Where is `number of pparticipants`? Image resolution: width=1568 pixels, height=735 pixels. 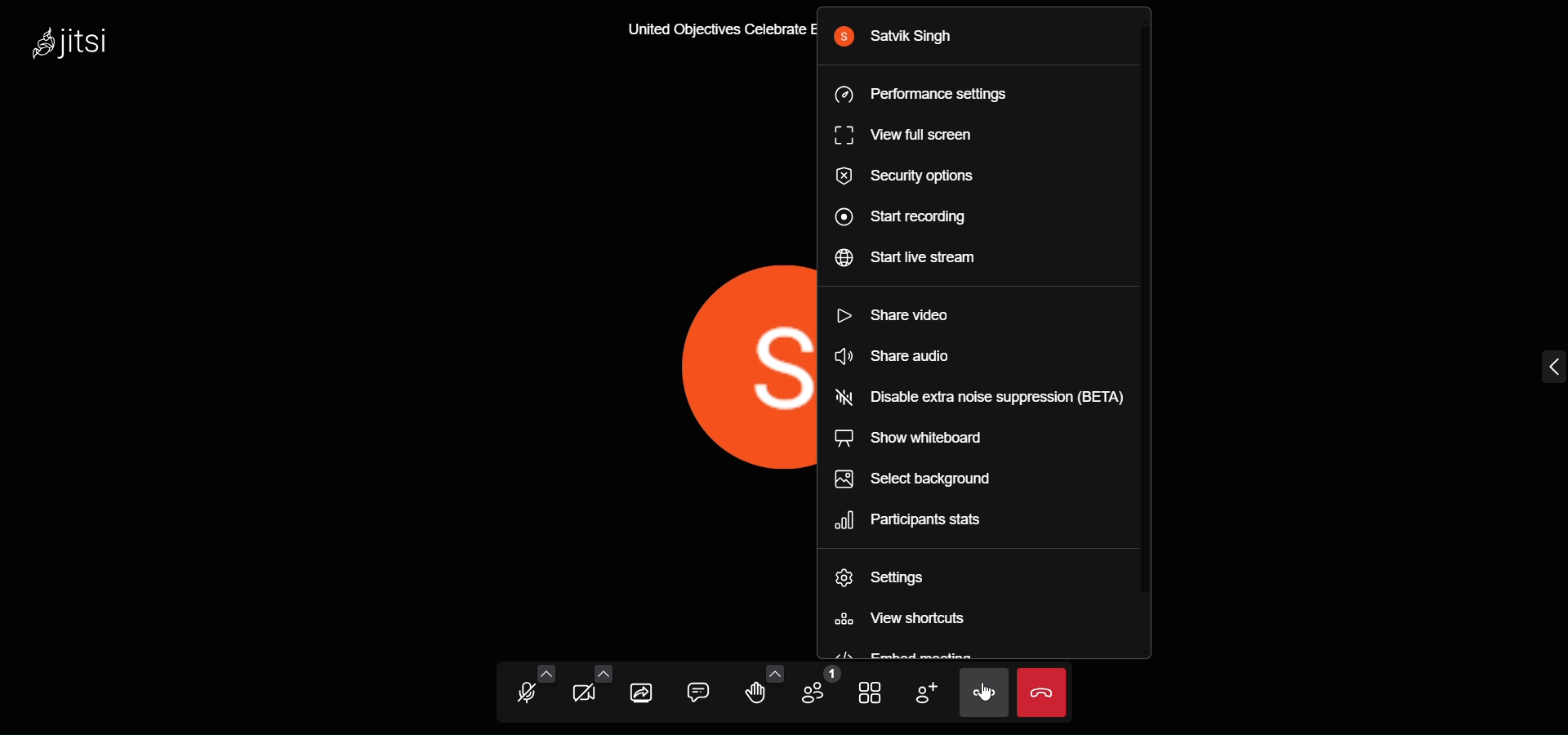
number of pparticipants is located at coordinates (817, 690).